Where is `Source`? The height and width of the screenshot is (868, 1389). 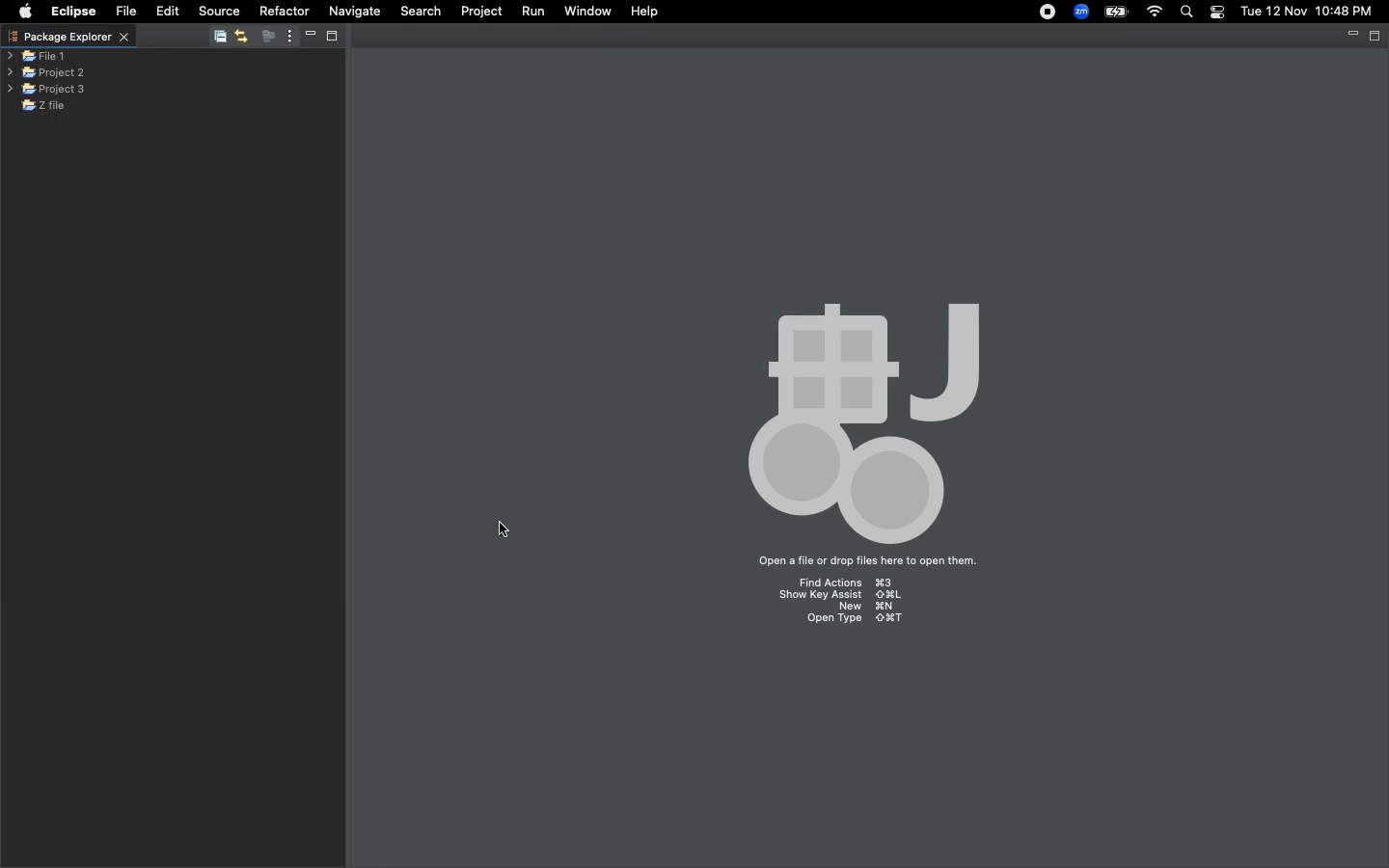 Source is located at coordinates (216, 12).